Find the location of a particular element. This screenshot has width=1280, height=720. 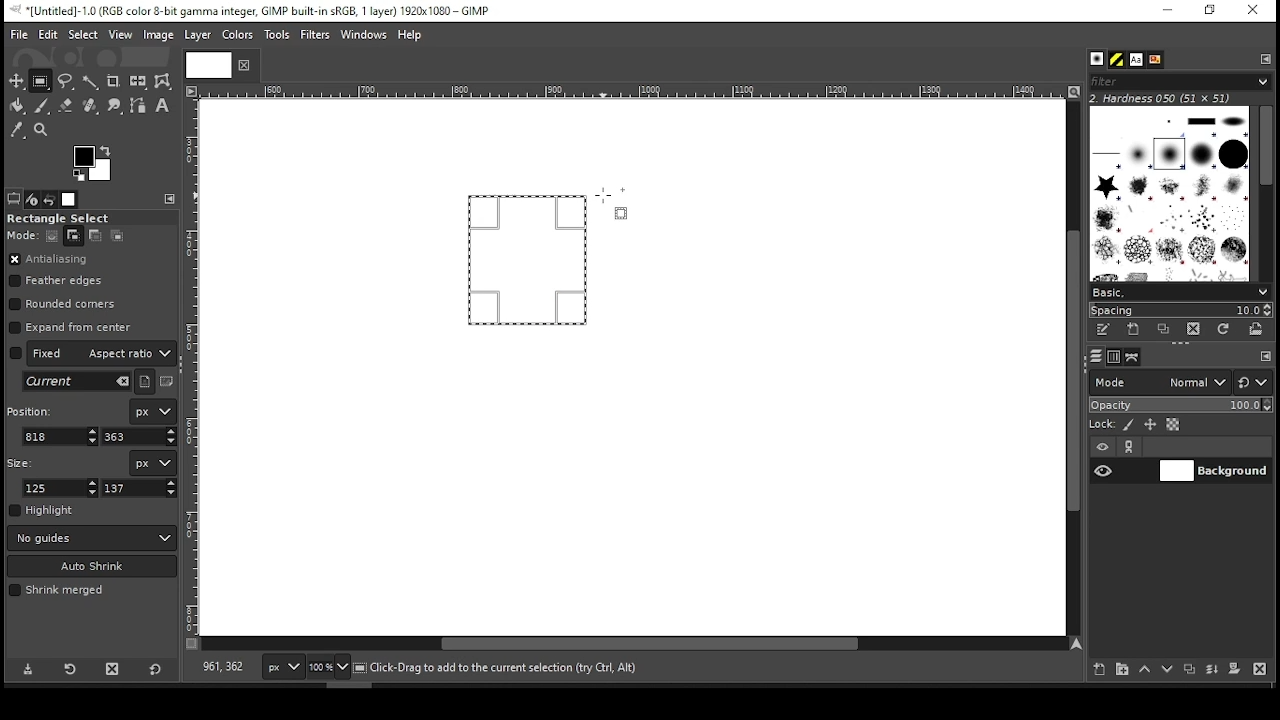

landscape is located at coordinates (168, 383).